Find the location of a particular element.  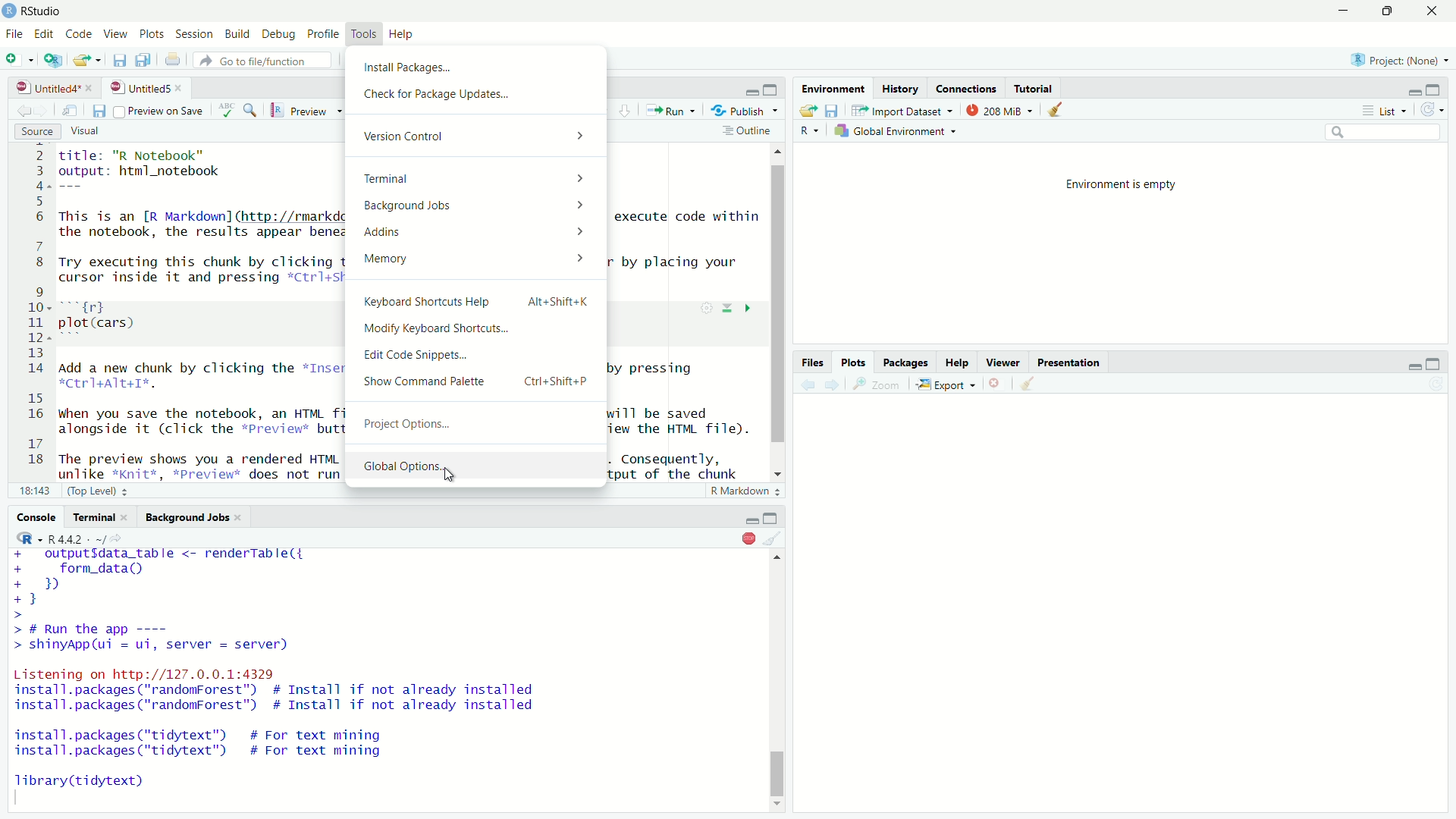

+ outputfdata_table <- renderTable({+ form_data()+B+}>> # Run the app ----> shinyApp(ui = ui, server = server)Listening on http://127.0.0.1:4329install.packages ("randomForest") # Install if not already installedinstall.packages ("randomForest") # Install if not already installedinstall.packages ("tidytext") # For text mininginstall.packages ("tidytext") # For text miningTibrary(tidytext) is located at coordinates (282, 676).